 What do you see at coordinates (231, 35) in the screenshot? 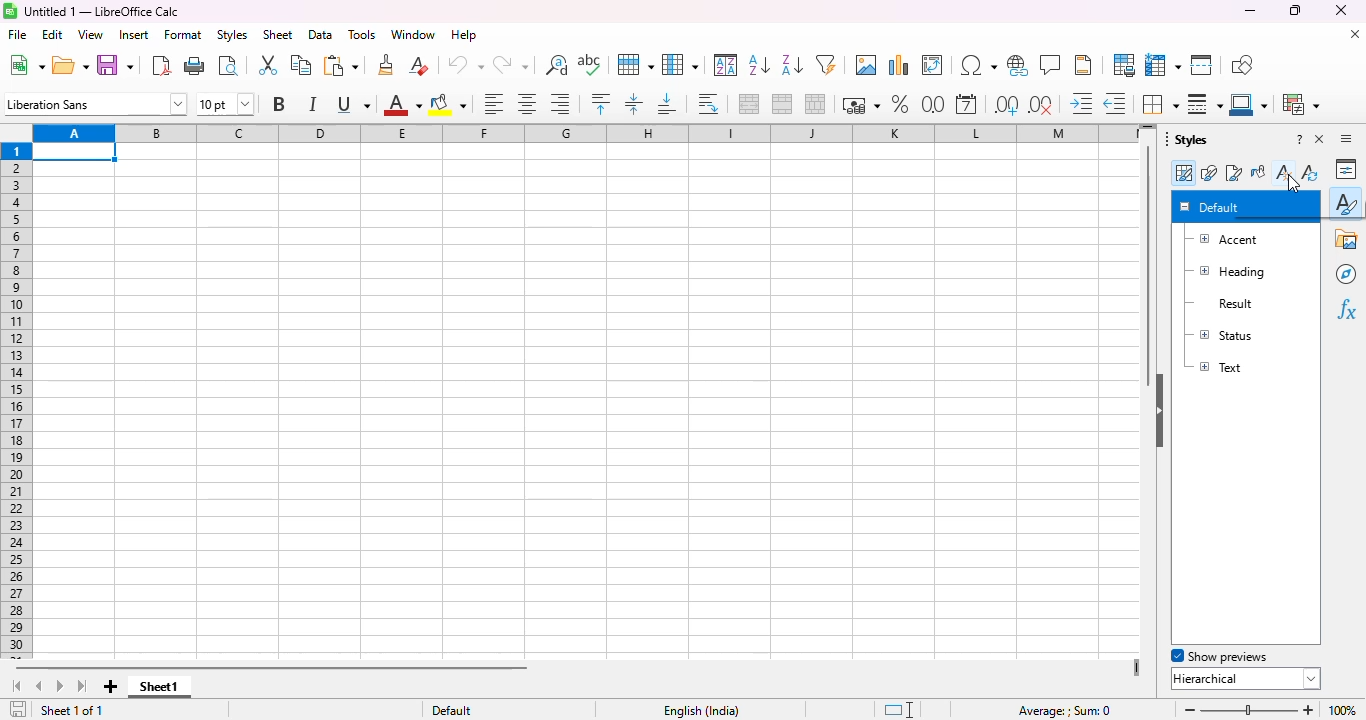
I see `styles` at bounding box center [231, 35].